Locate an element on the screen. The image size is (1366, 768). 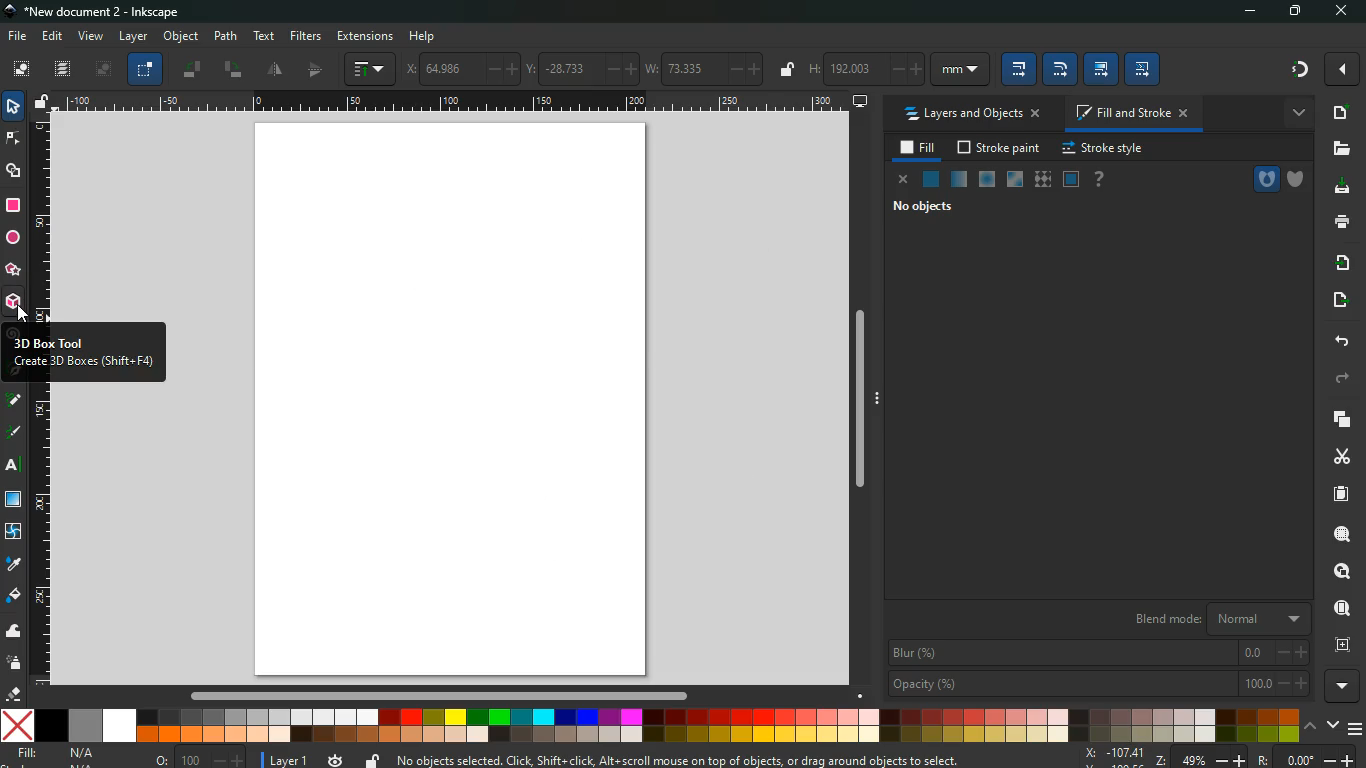
texture is located at coordinates (1042, 182).